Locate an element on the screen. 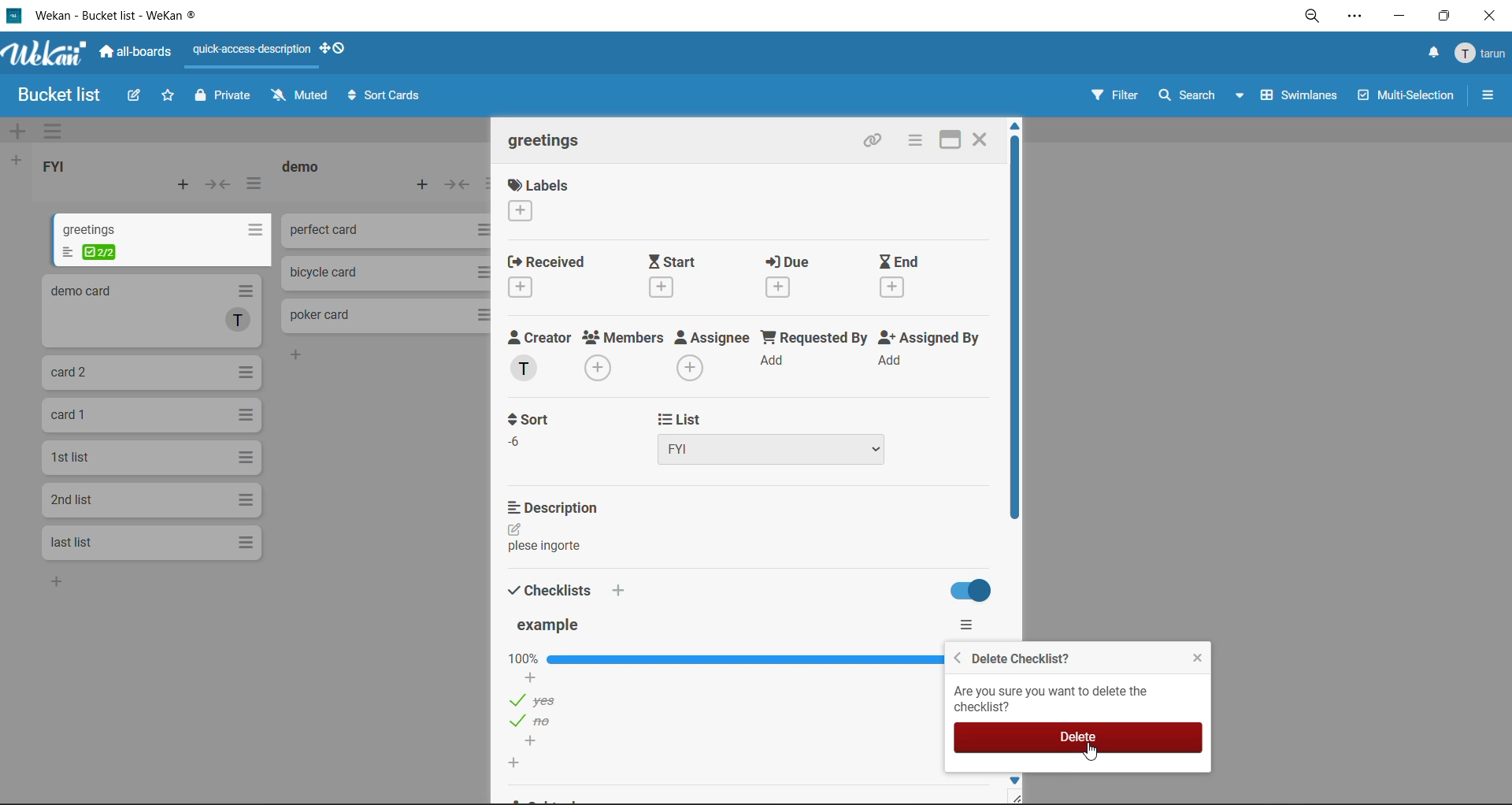 This screenshot has width=1512, height=805. card title is located at coordinates (540, 144).